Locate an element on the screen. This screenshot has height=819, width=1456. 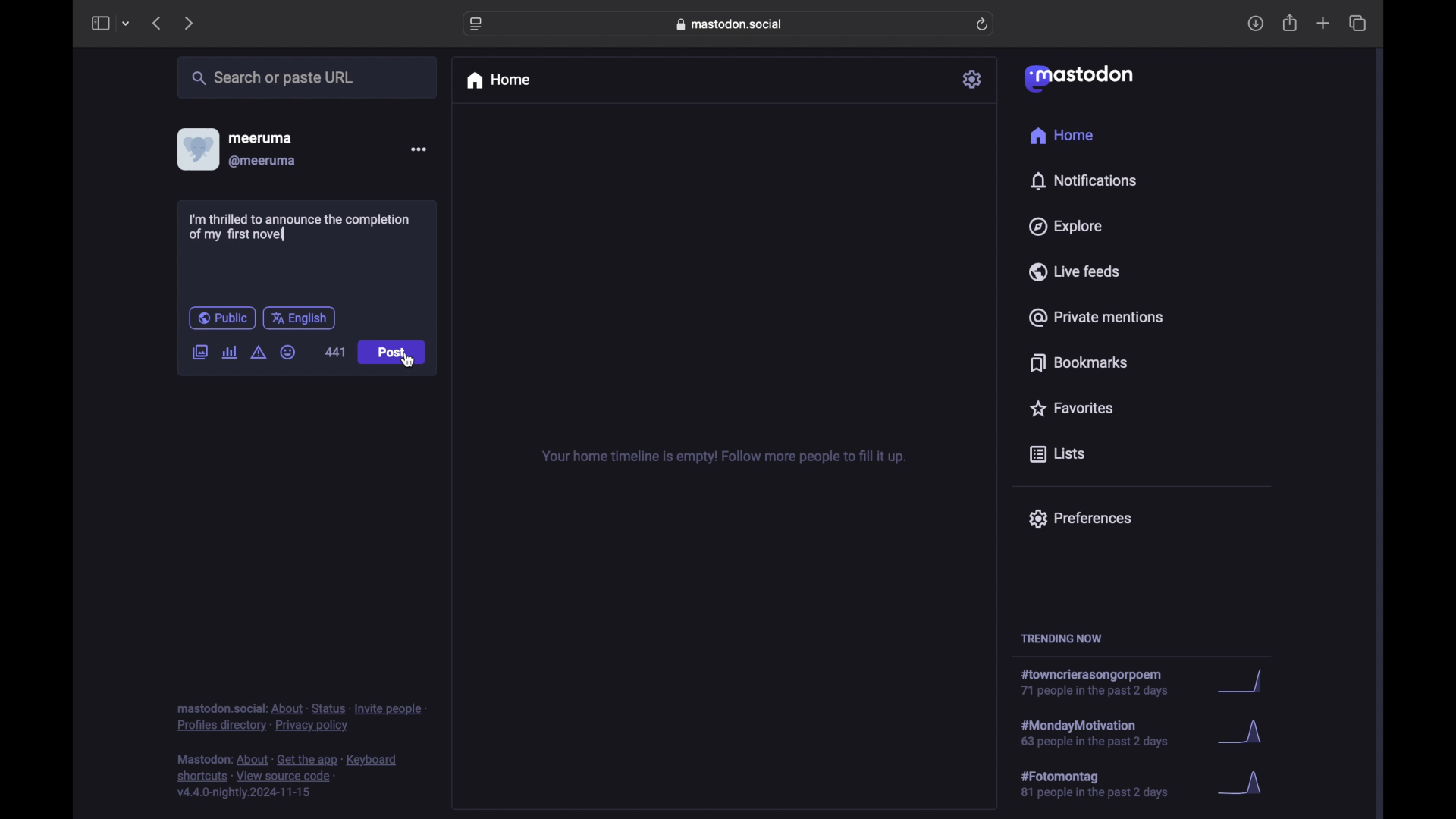
new tab overview is located at coordinates (1323, 23).